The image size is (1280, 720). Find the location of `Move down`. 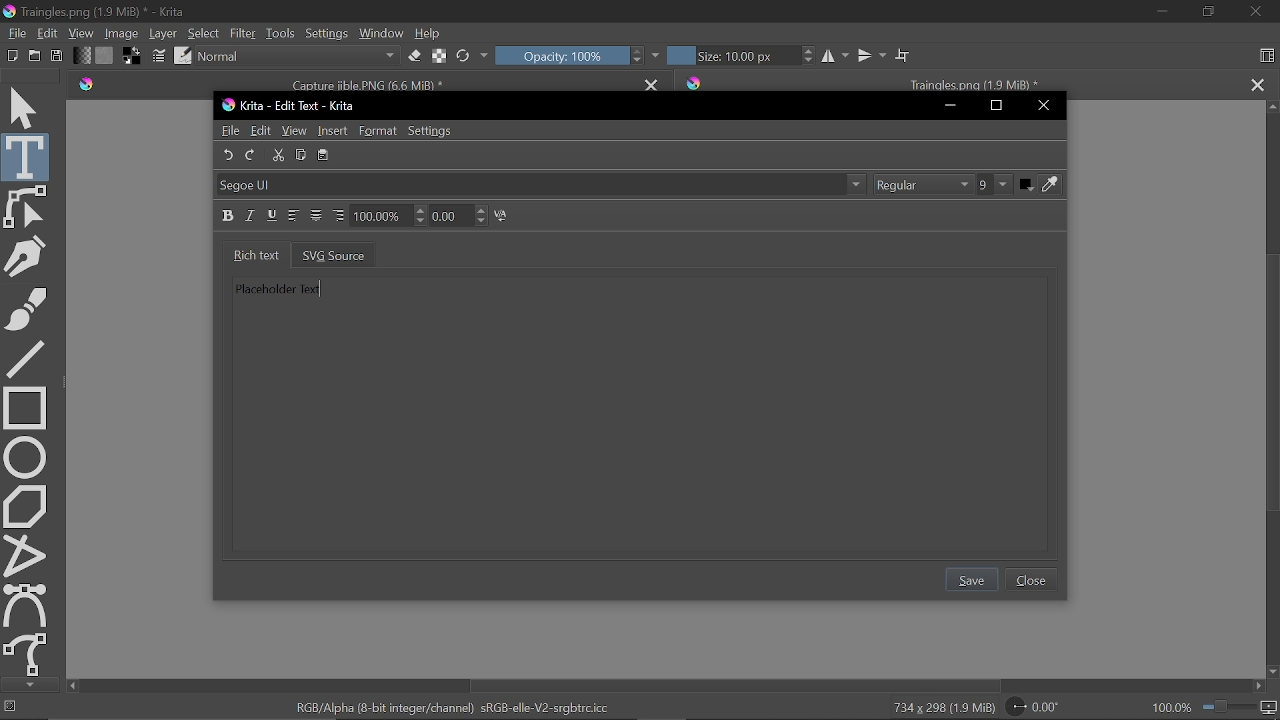

Move down is located at coordinates (1272, 671).